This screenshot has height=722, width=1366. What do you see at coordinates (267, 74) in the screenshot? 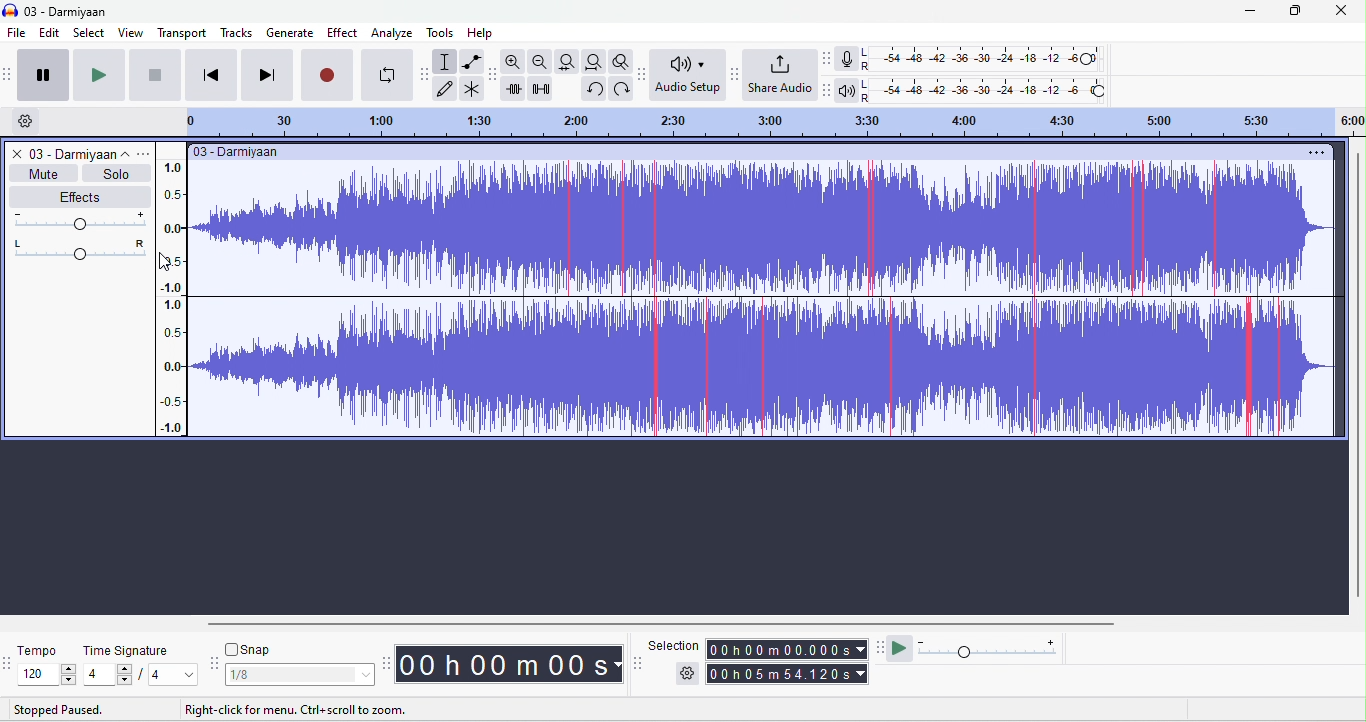
I see `skip to end` at bounding box center [267, 74].